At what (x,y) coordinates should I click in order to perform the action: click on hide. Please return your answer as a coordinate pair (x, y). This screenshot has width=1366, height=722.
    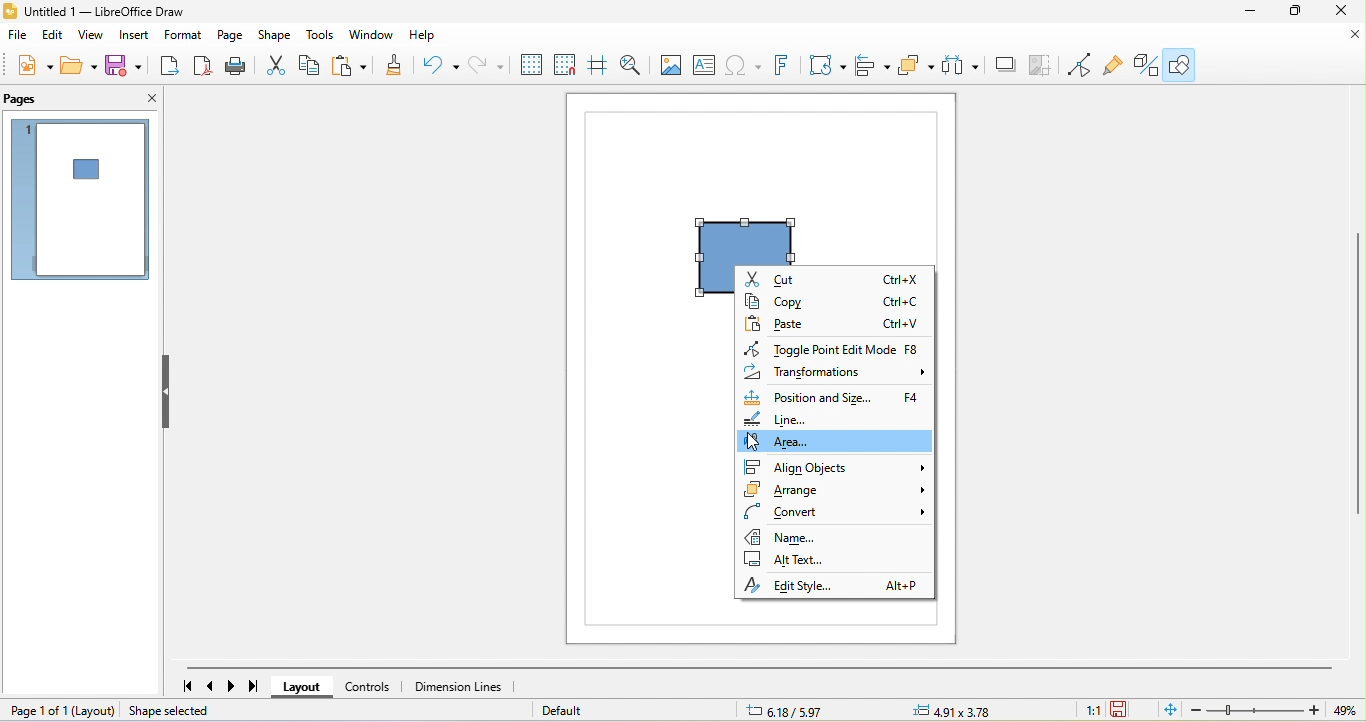
    Looking at the image, I should click on (172, 393).